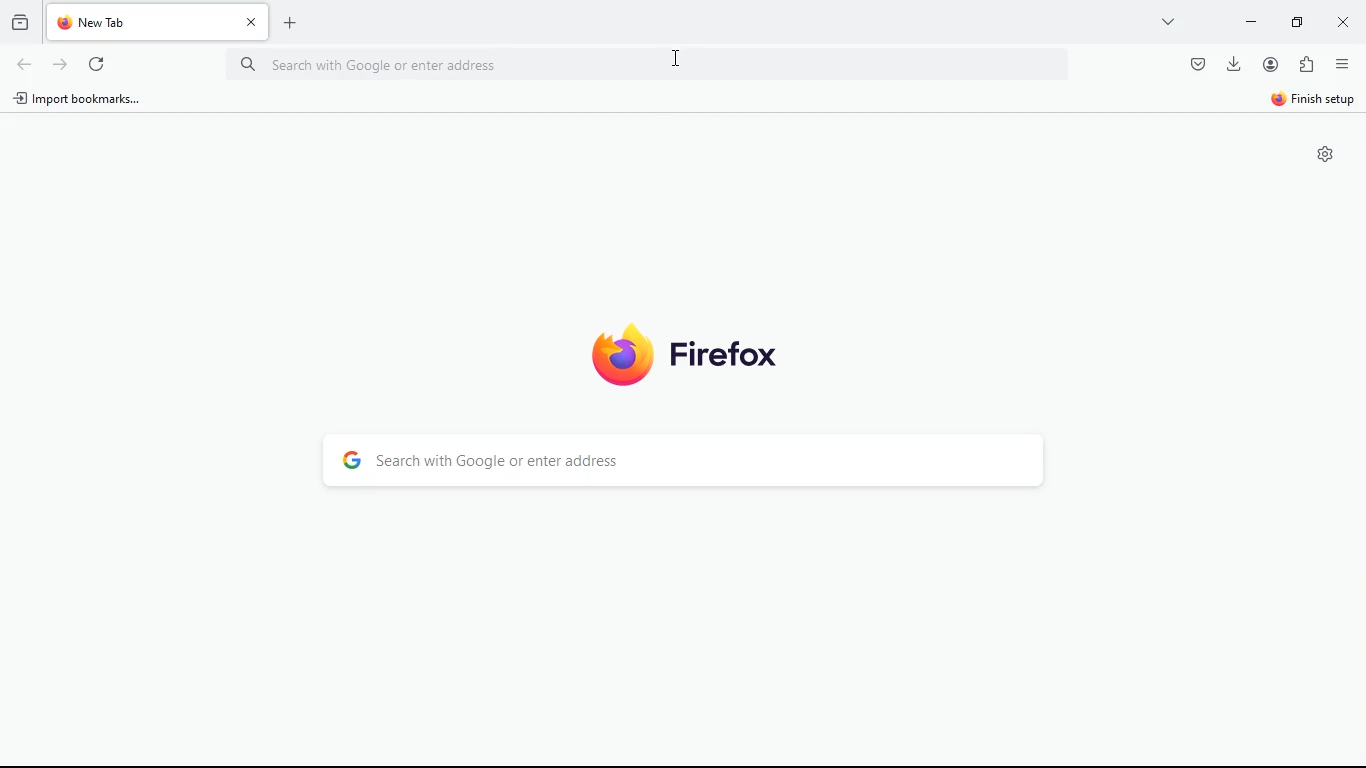 The height and width of the screenshot is (768, 1366). Describe the element at coordinates (63, 63) in the screenshot. I see `forward` at that location.